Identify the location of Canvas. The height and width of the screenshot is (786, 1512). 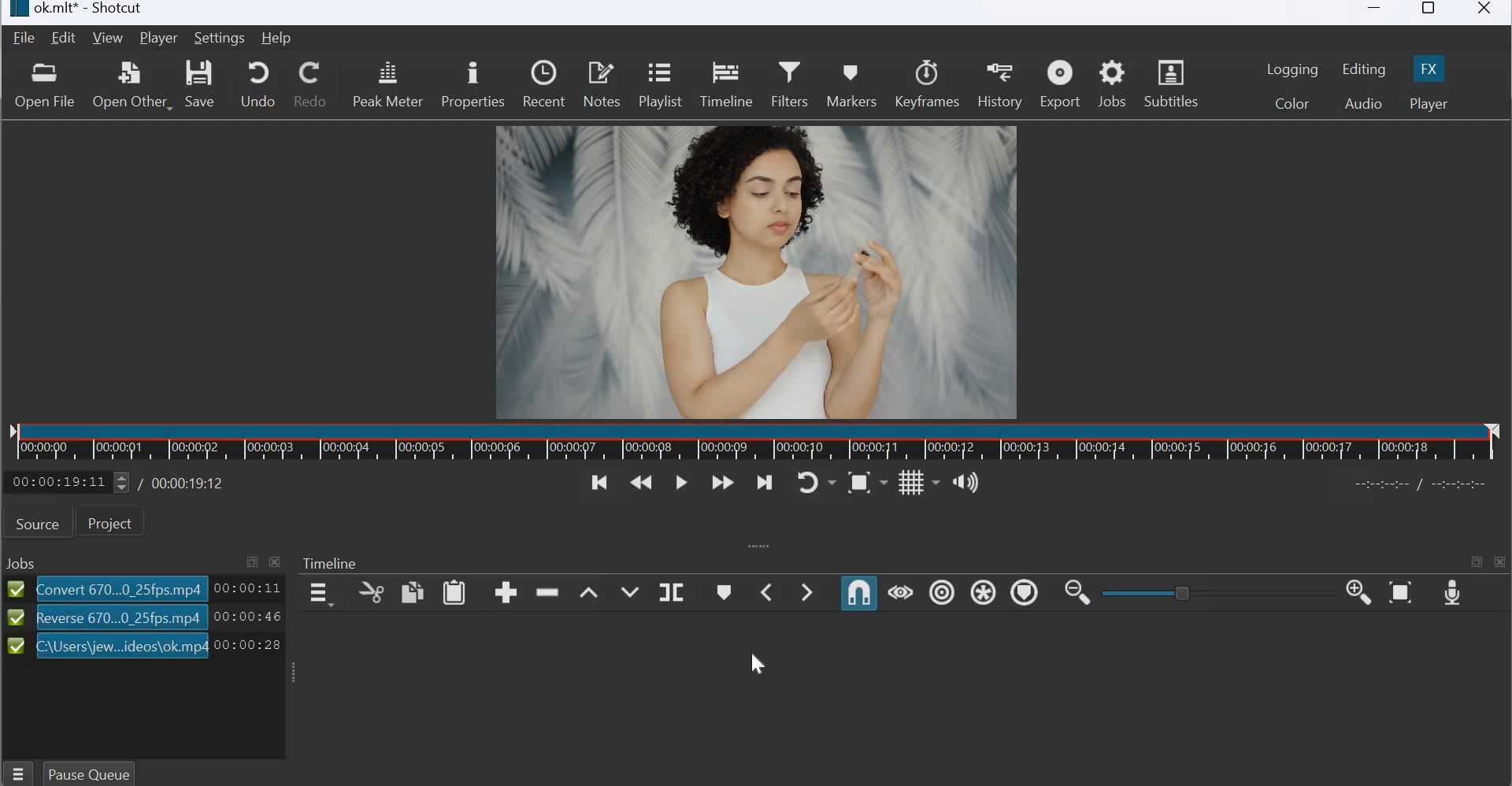
(762, 271).